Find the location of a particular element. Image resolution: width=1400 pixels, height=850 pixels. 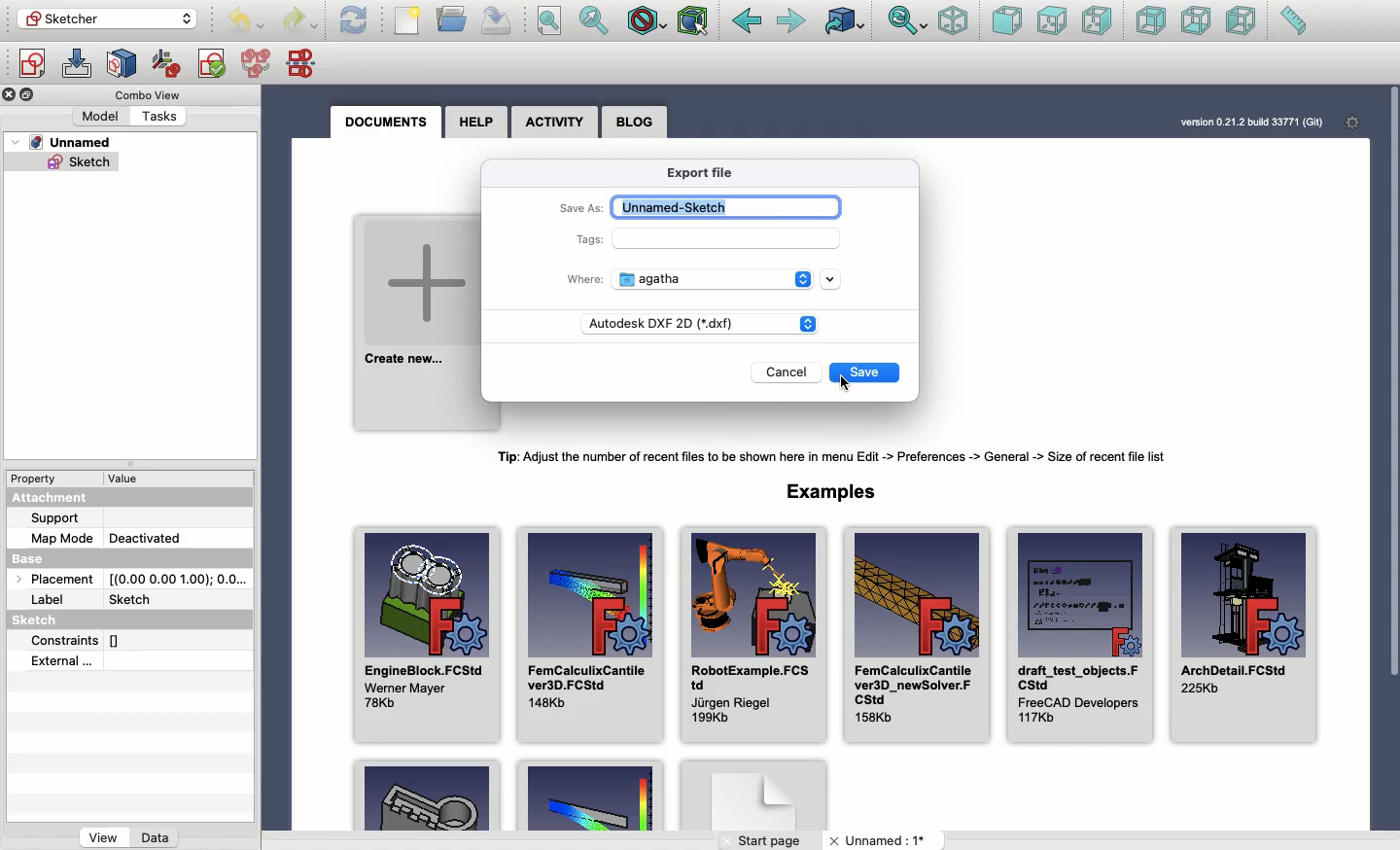

value is located at coordinates (127, 479).